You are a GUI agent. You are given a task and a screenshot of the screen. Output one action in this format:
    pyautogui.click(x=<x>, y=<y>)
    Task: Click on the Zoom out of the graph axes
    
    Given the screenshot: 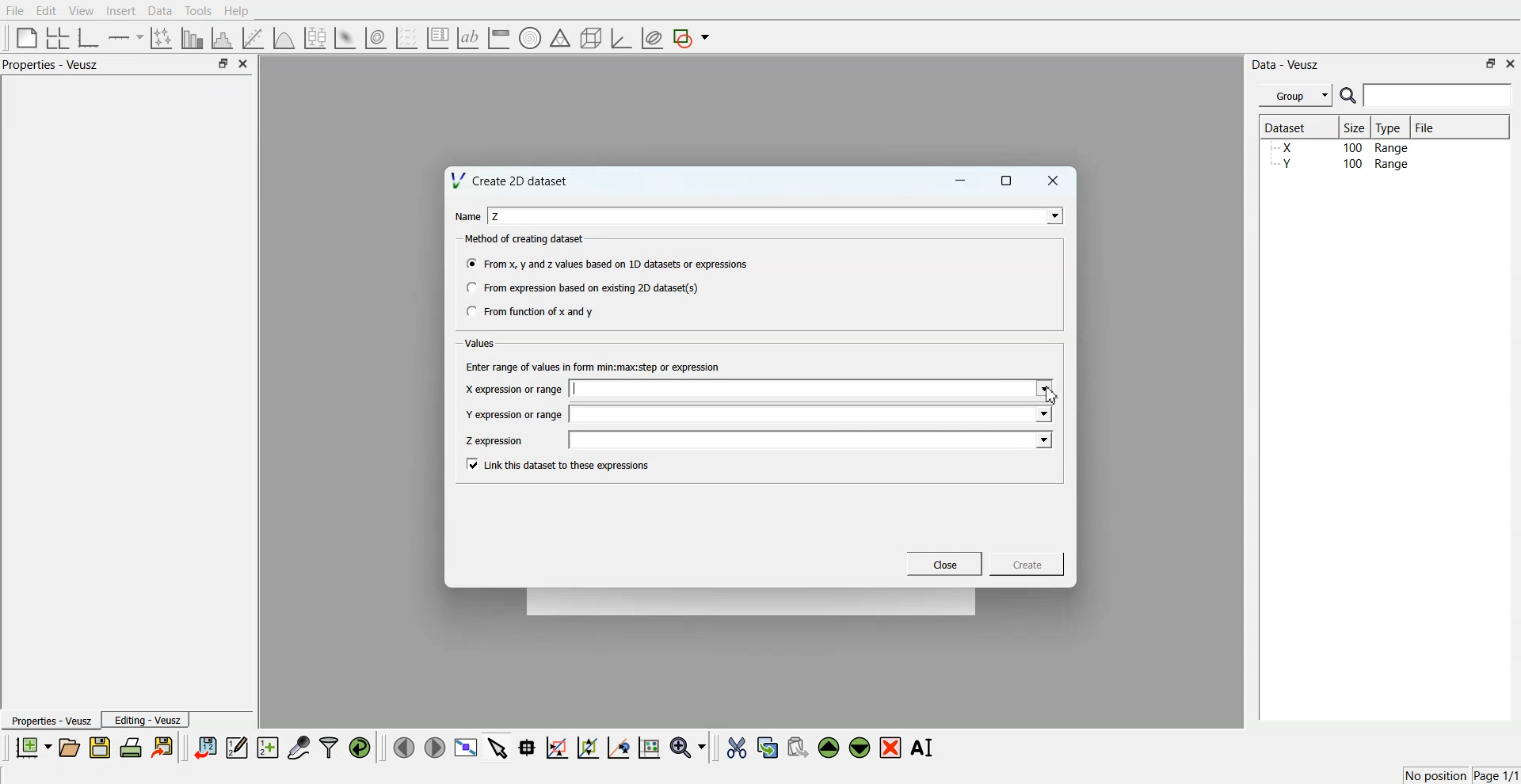 What is the action you would take?
    pyautogui.click(x=588, y=747)
    